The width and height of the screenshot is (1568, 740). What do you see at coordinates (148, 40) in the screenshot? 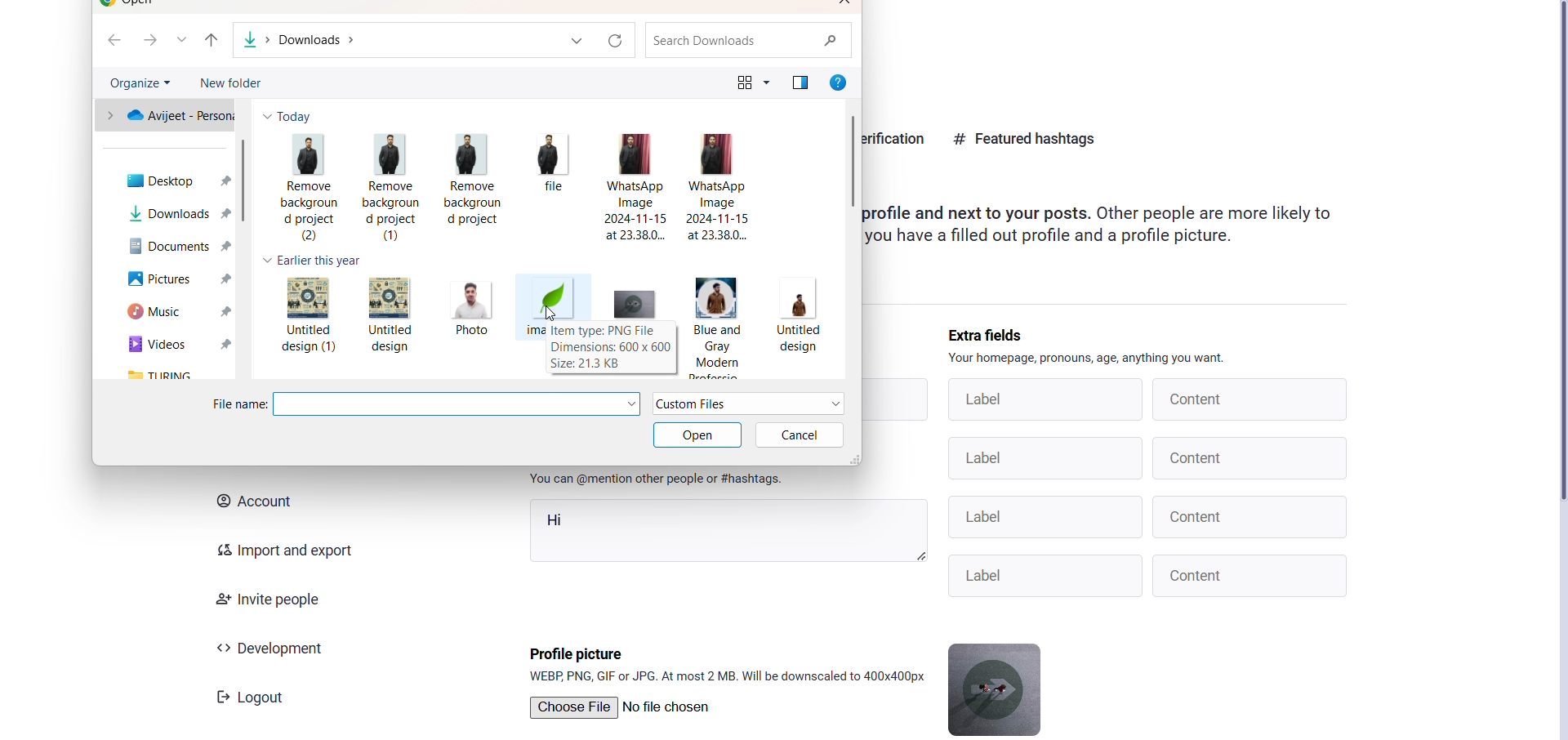
I see `next` at bounding box center [148, 40].